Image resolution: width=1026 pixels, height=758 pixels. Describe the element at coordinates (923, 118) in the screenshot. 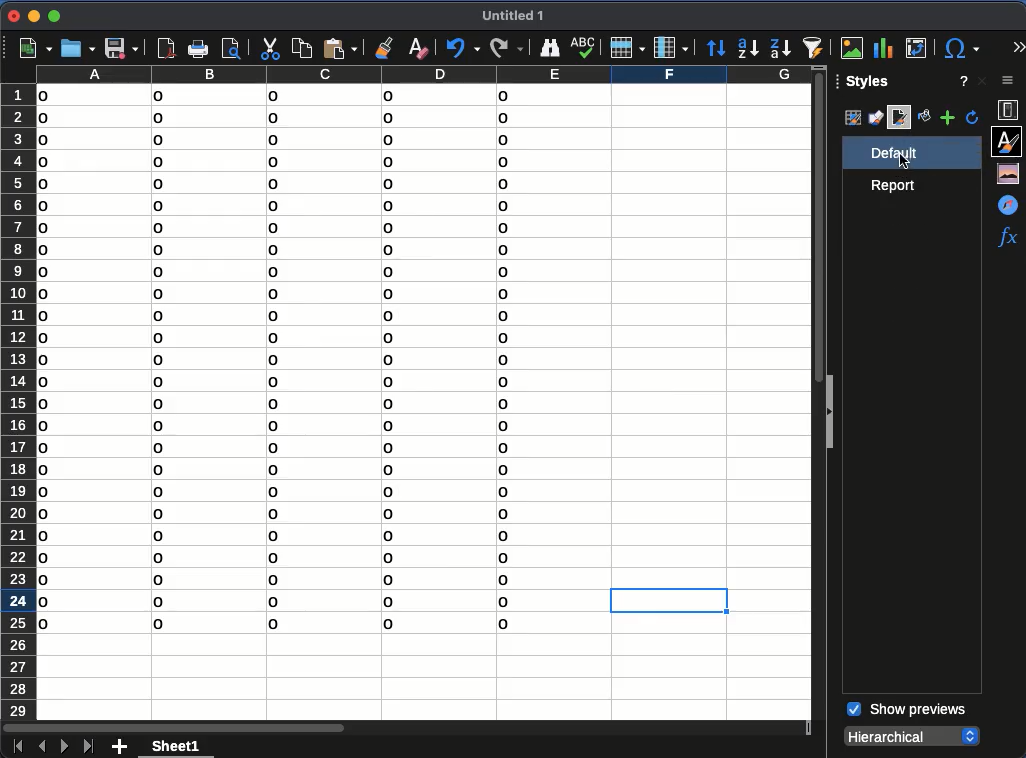

I see `fill format` at that location.